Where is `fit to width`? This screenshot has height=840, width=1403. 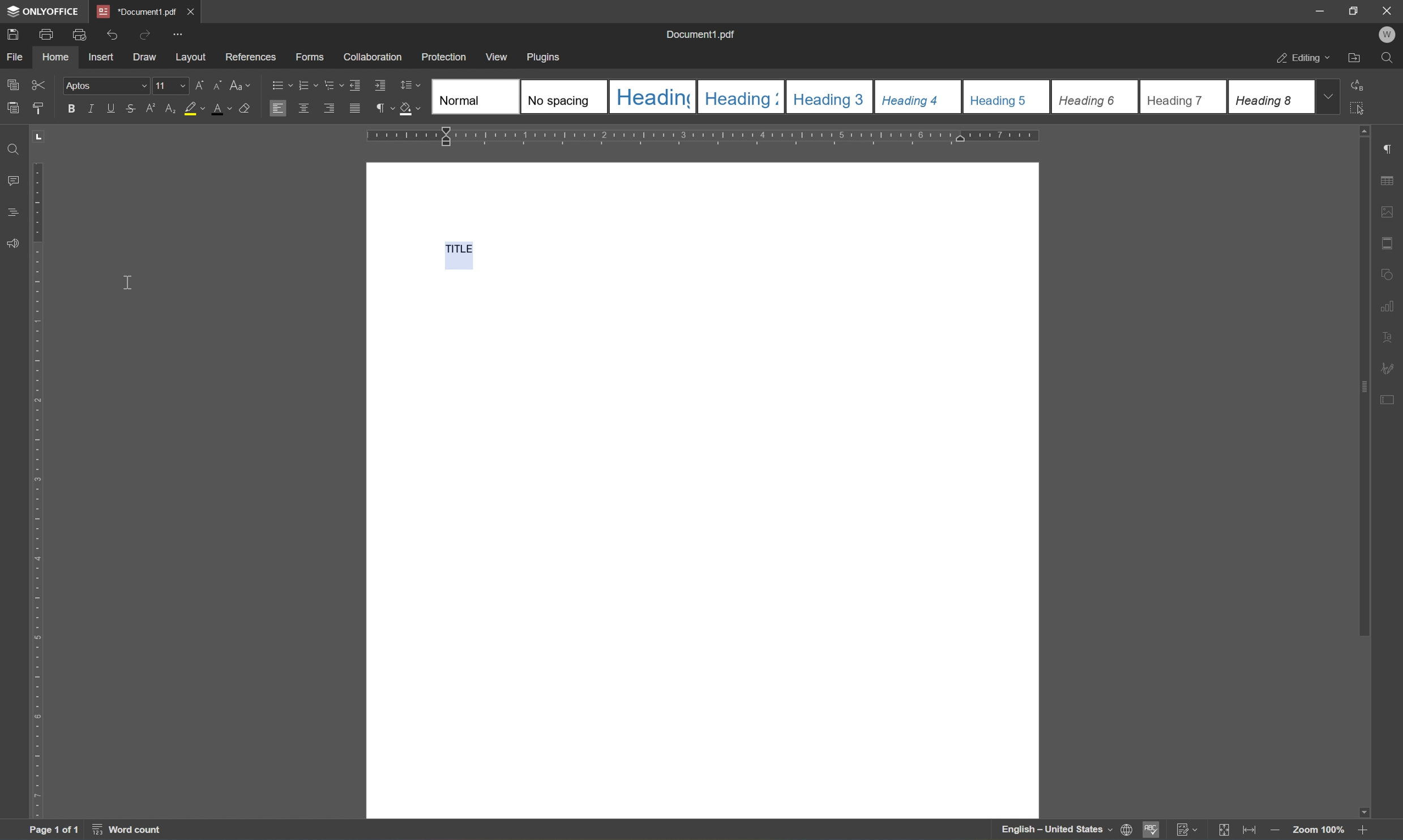 fit to width is located at coordinates (1251, 830).